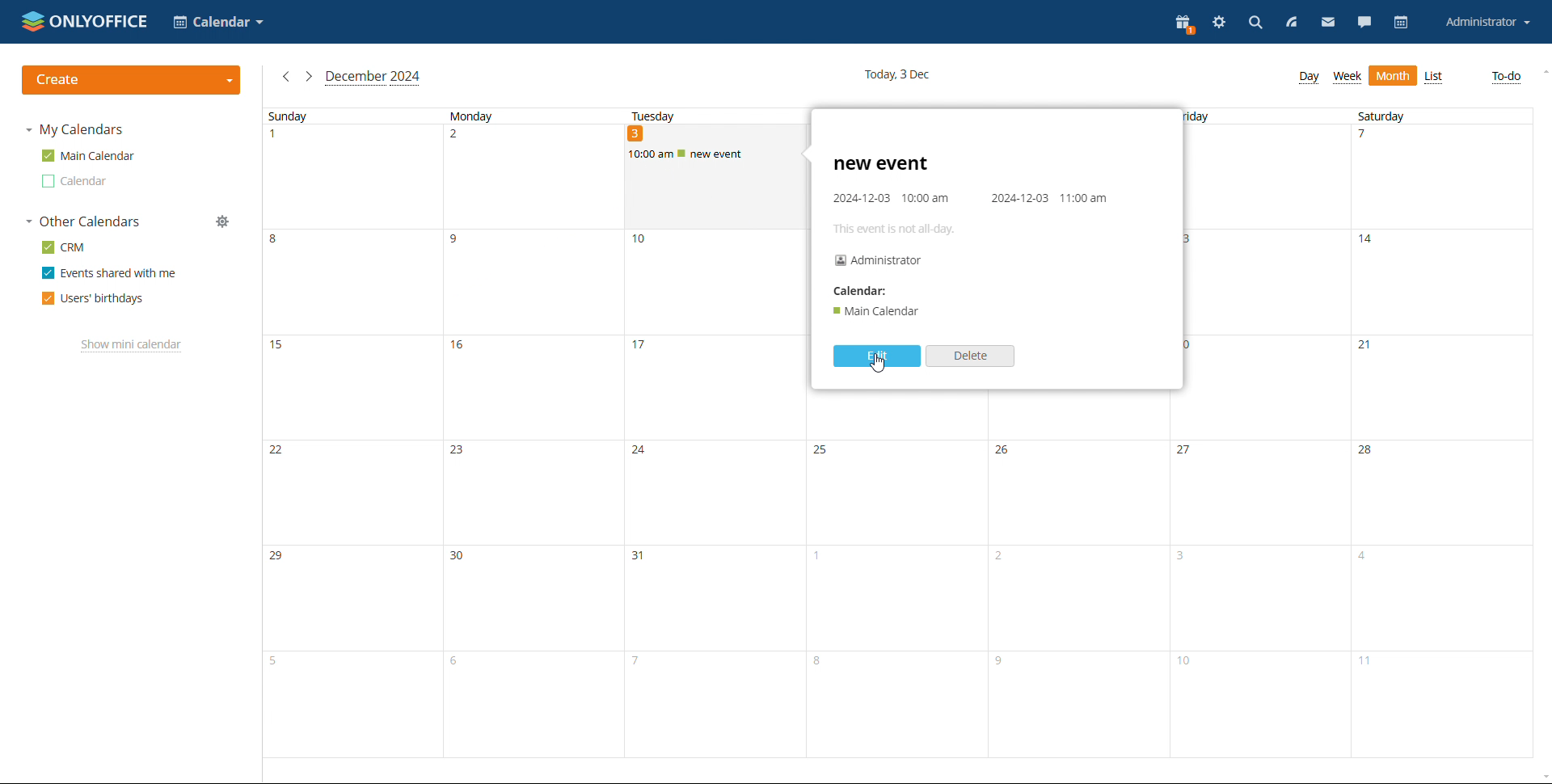 This screenshot has width=1552, height=784. I want to click on 2, so click(531, 178).